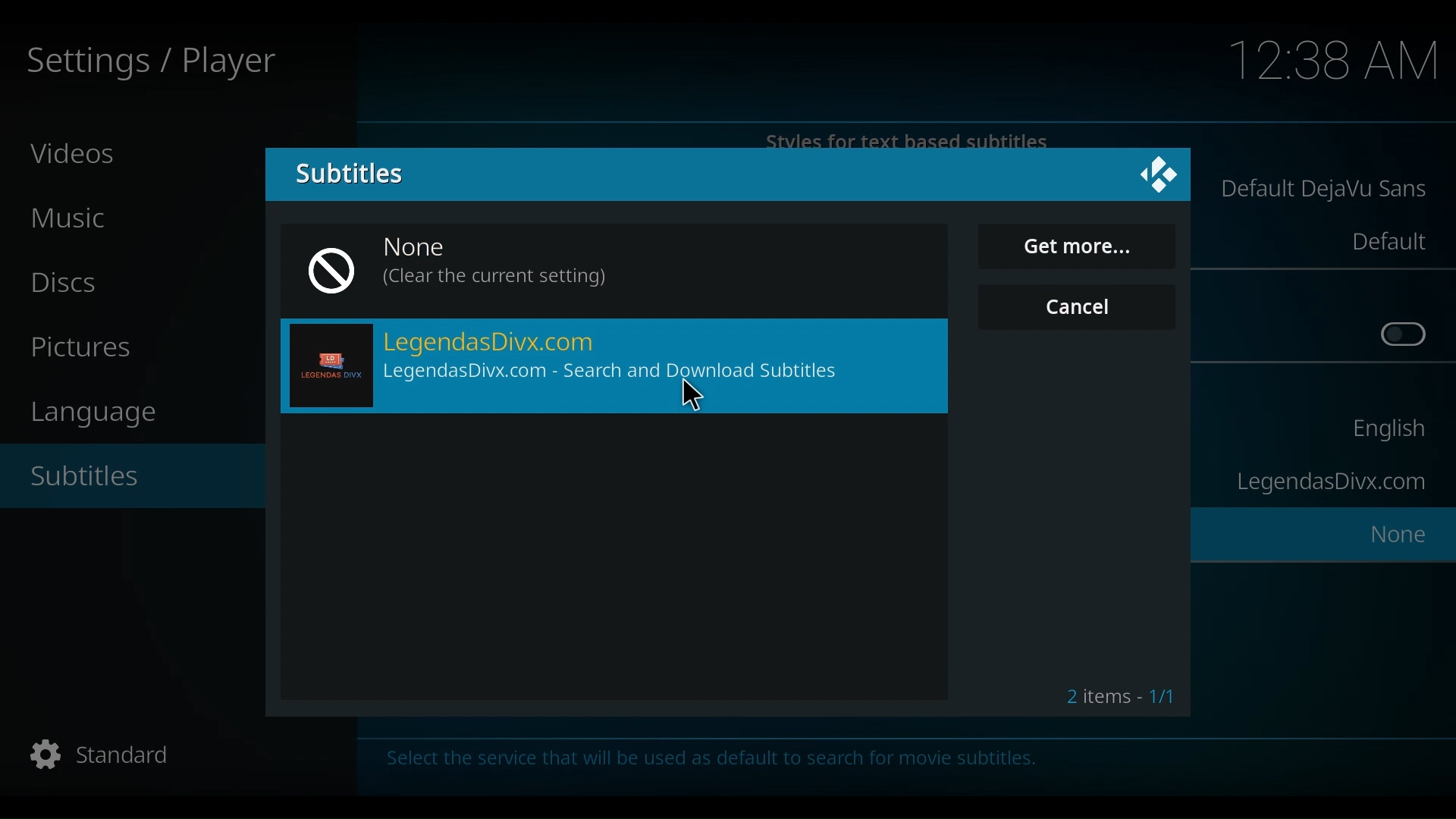 This screenshot has width=1456, height=819. I want to click on LegendasDivx,com. Search and download subtitles, so click(621, 373).